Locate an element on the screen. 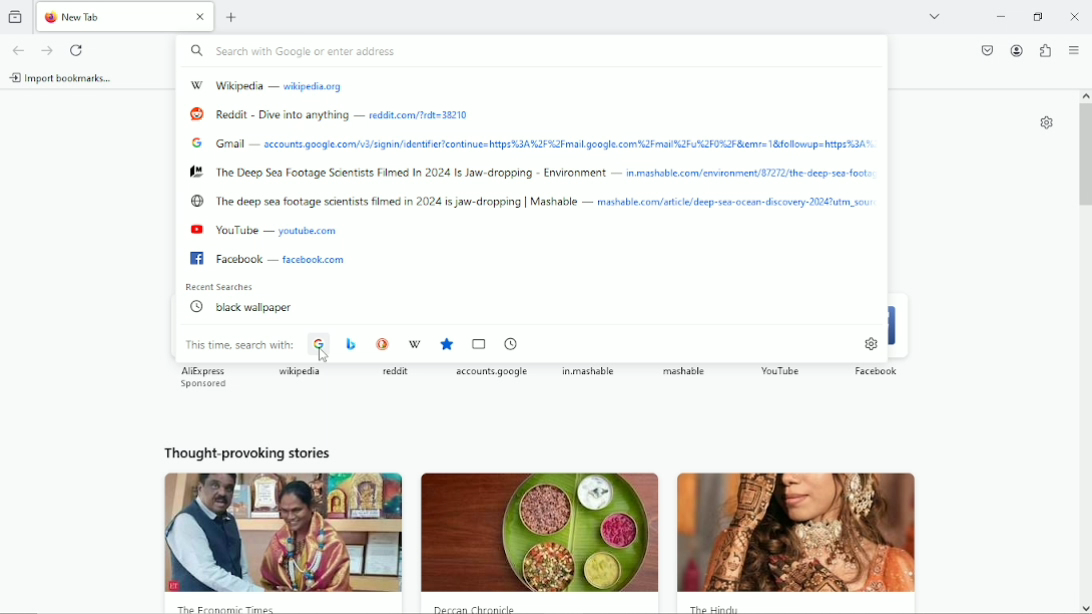  tabs is located at coordinates (479, 343).